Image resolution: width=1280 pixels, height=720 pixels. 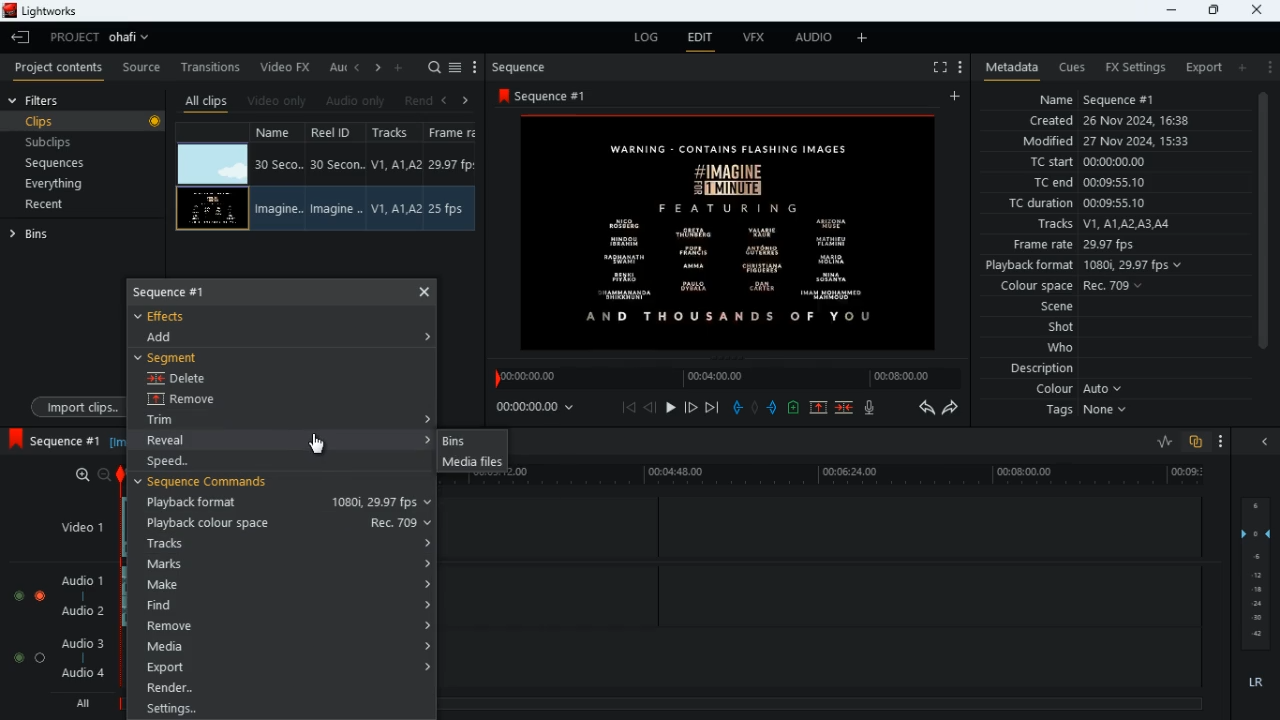 I want to click on Cross, so click(x=425, y=291).